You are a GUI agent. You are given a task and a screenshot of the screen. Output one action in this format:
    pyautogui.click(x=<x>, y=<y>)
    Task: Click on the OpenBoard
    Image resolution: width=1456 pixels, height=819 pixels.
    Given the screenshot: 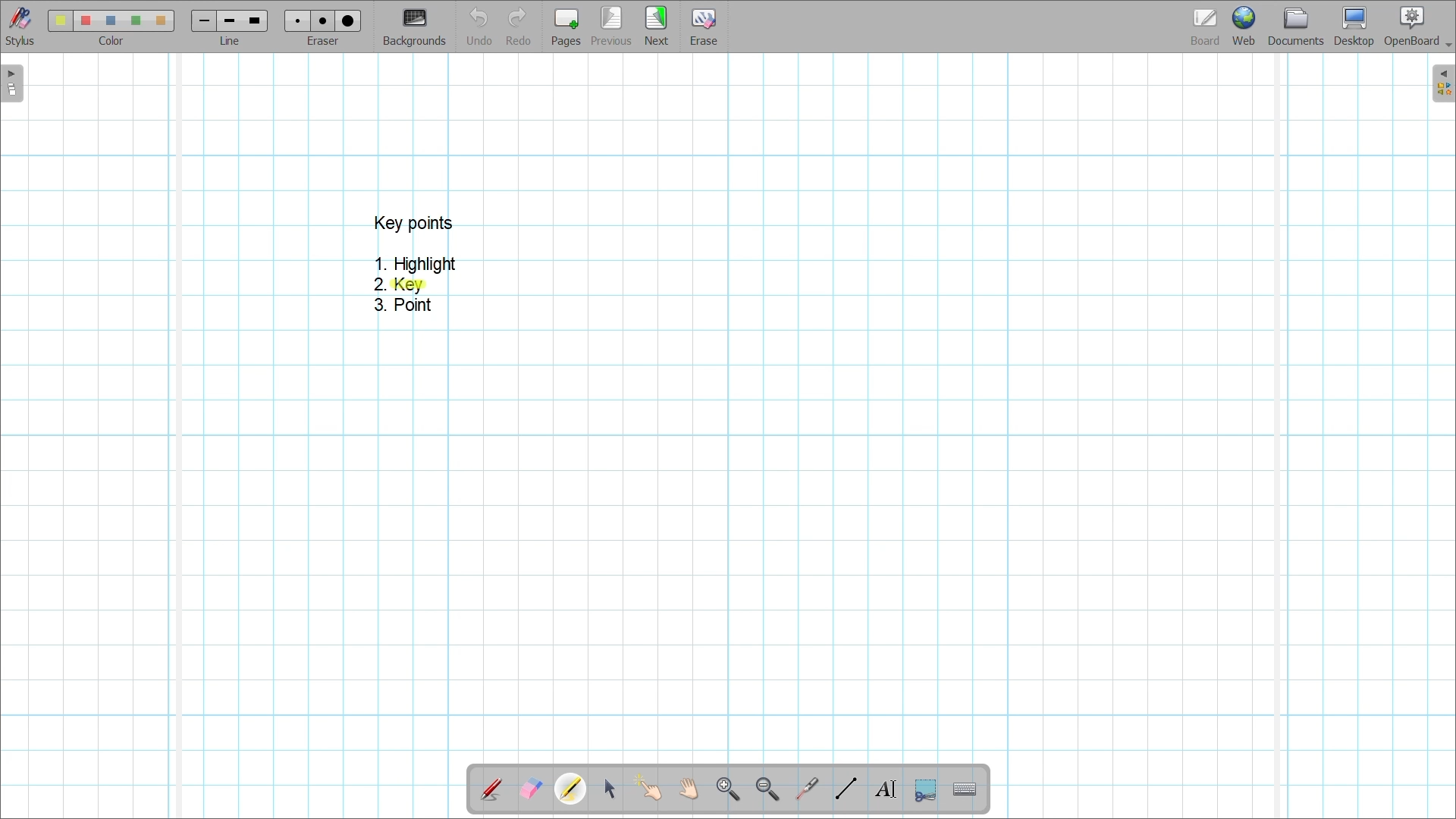 What is the action you would take?
    pyautogui.click(x=1417, y=27)
    